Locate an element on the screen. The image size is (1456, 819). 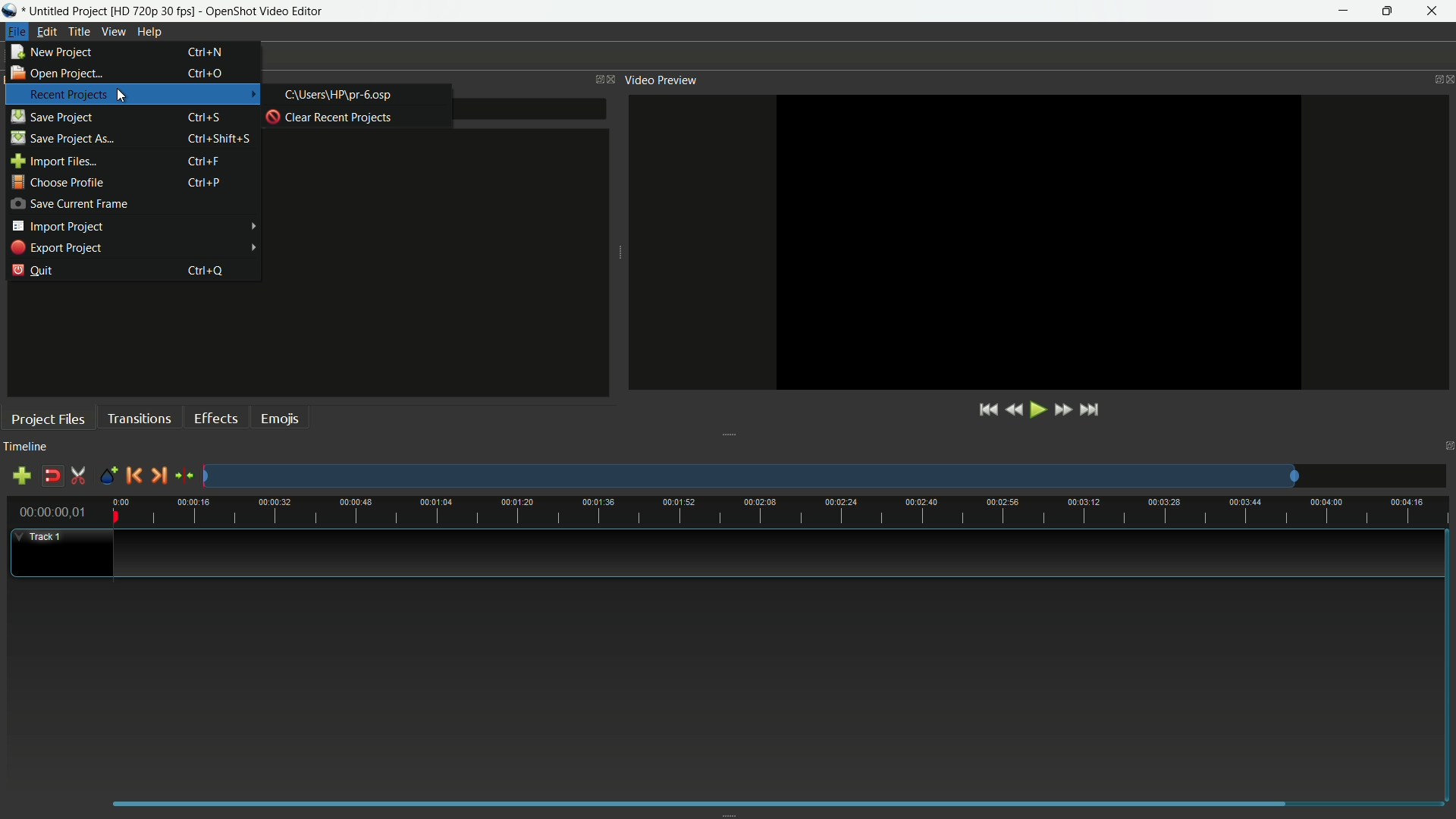
quit is located at coordinates (33, 270).